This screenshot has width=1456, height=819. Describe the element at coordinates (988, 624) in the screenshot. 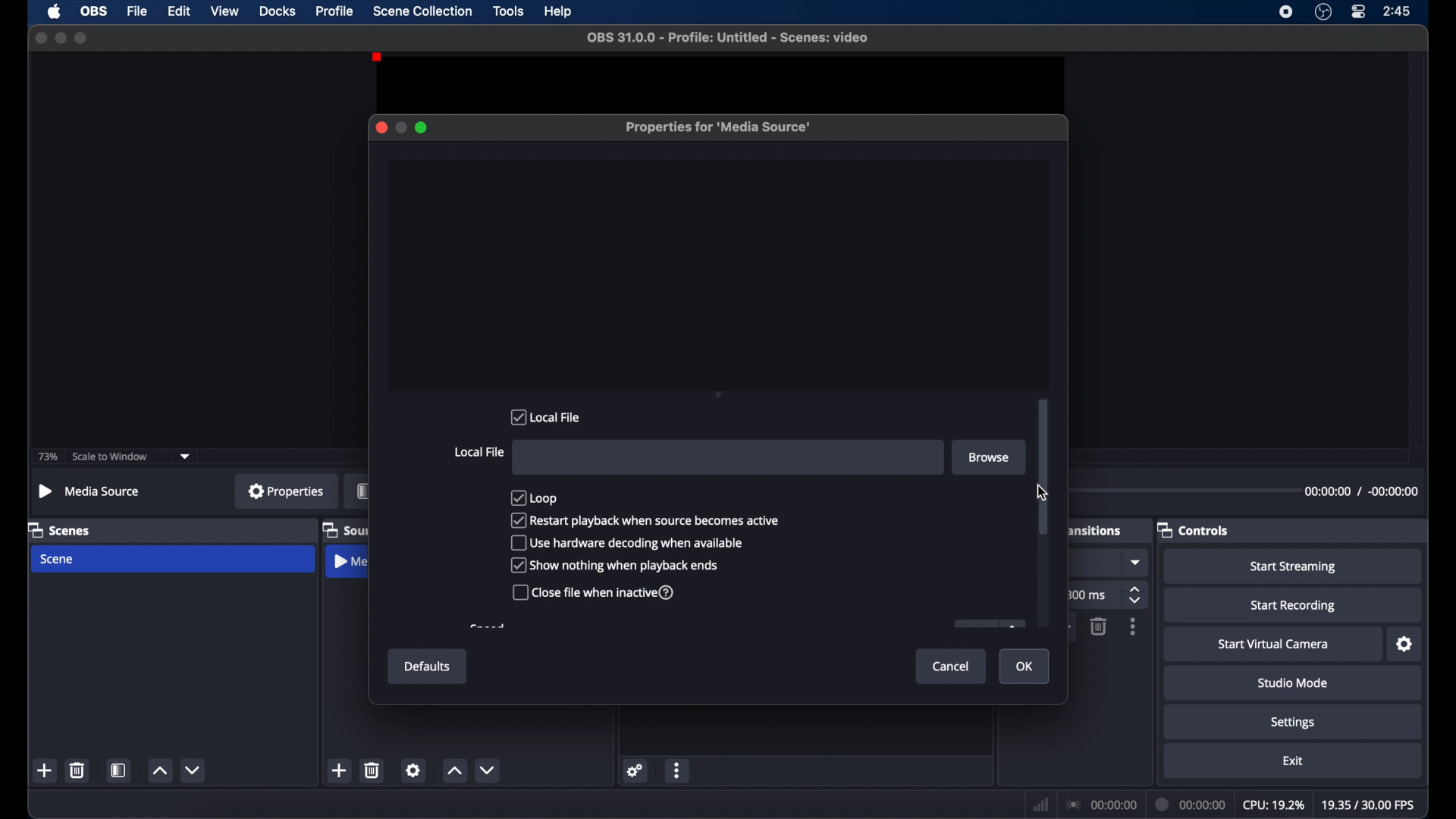

I see `obscured icon` at that location.